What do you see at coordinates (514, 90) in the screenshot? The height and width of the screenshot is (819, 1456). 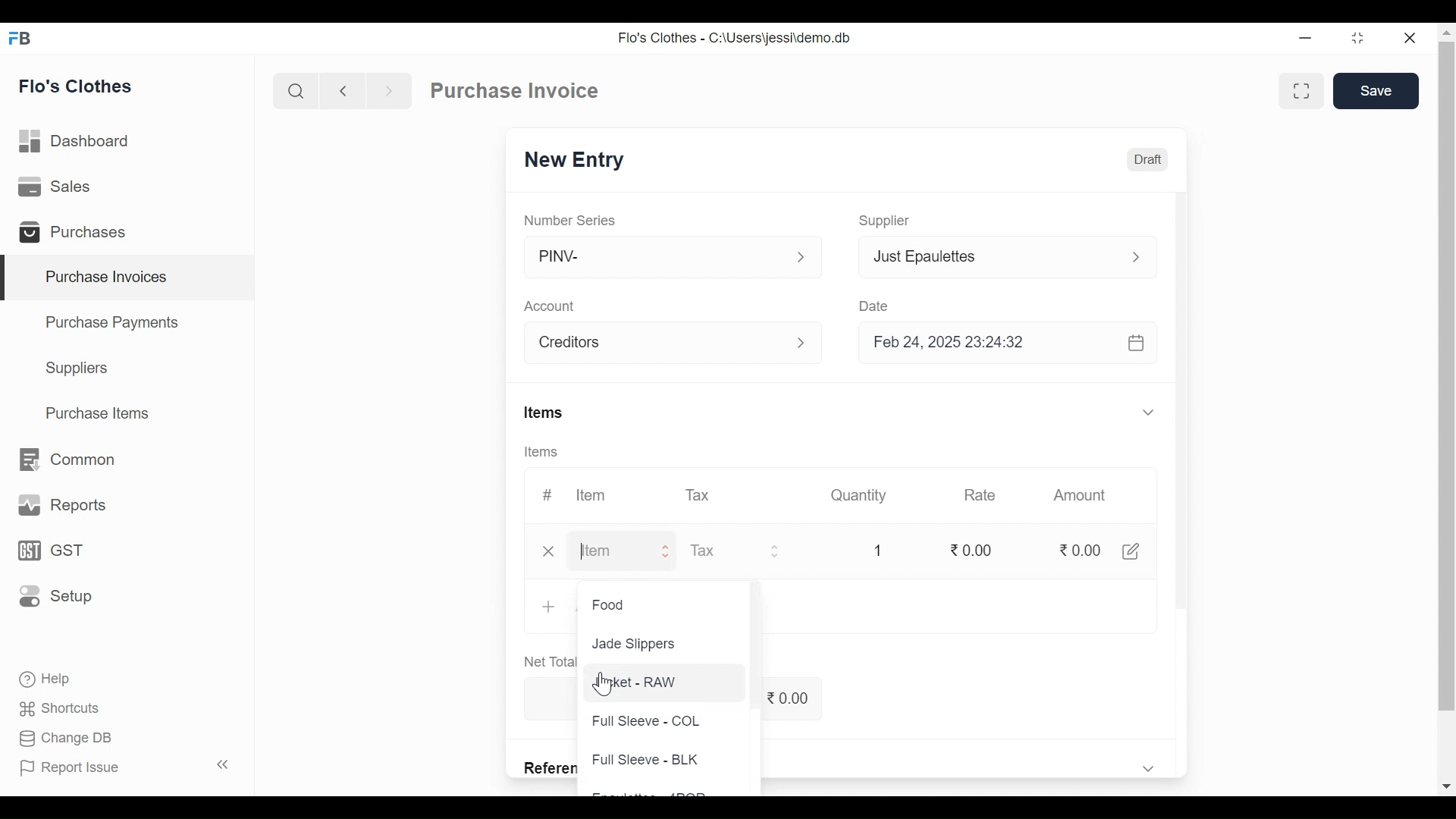 I see `Purchase Invoice` at bounding box center [514, 90].